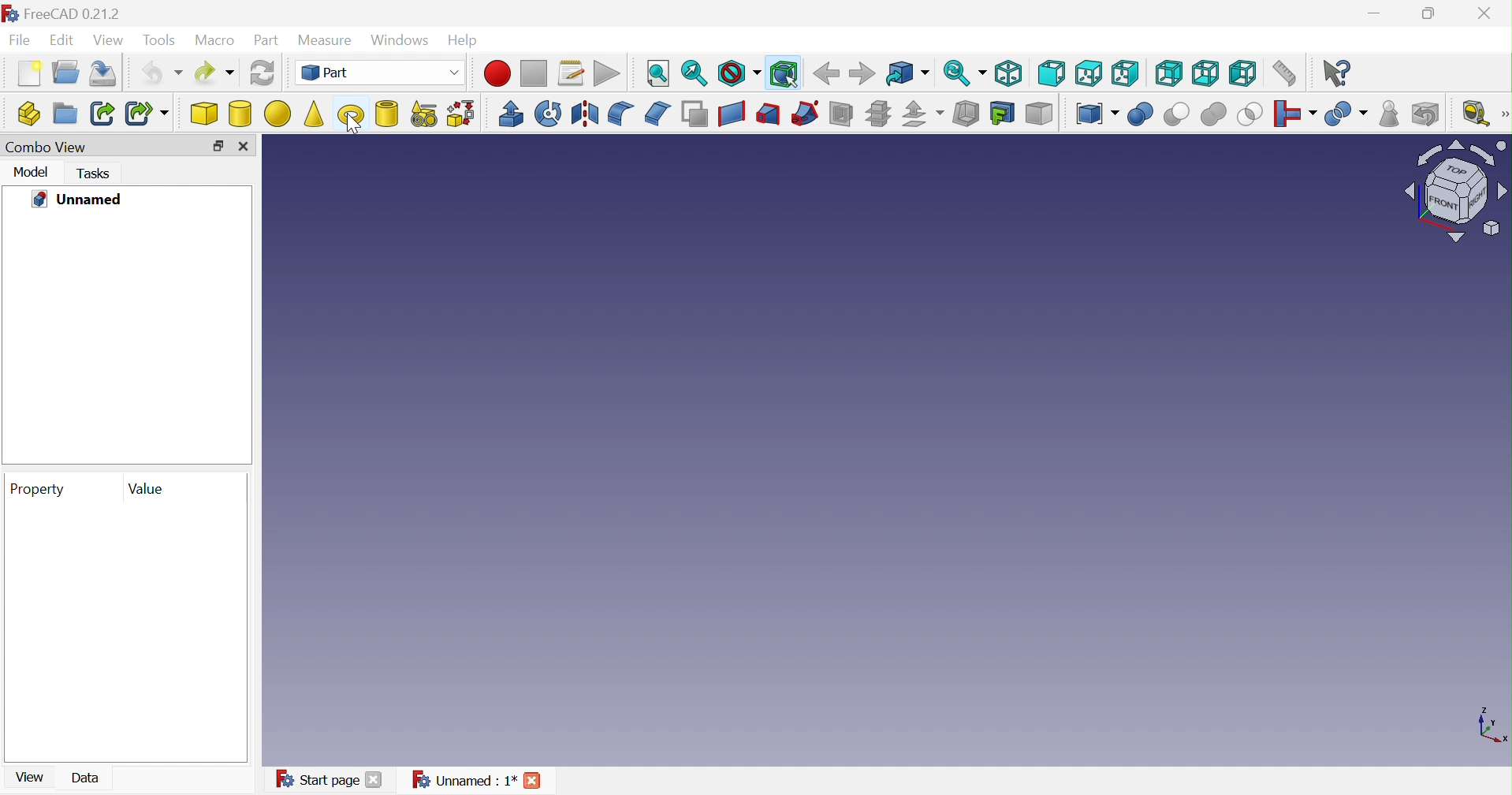 Image resolution: width=1512 pixels, height=795 pixels. Describe the element at coordinates (1249, 114) in the screenshot. I see `Intersection` at that location.